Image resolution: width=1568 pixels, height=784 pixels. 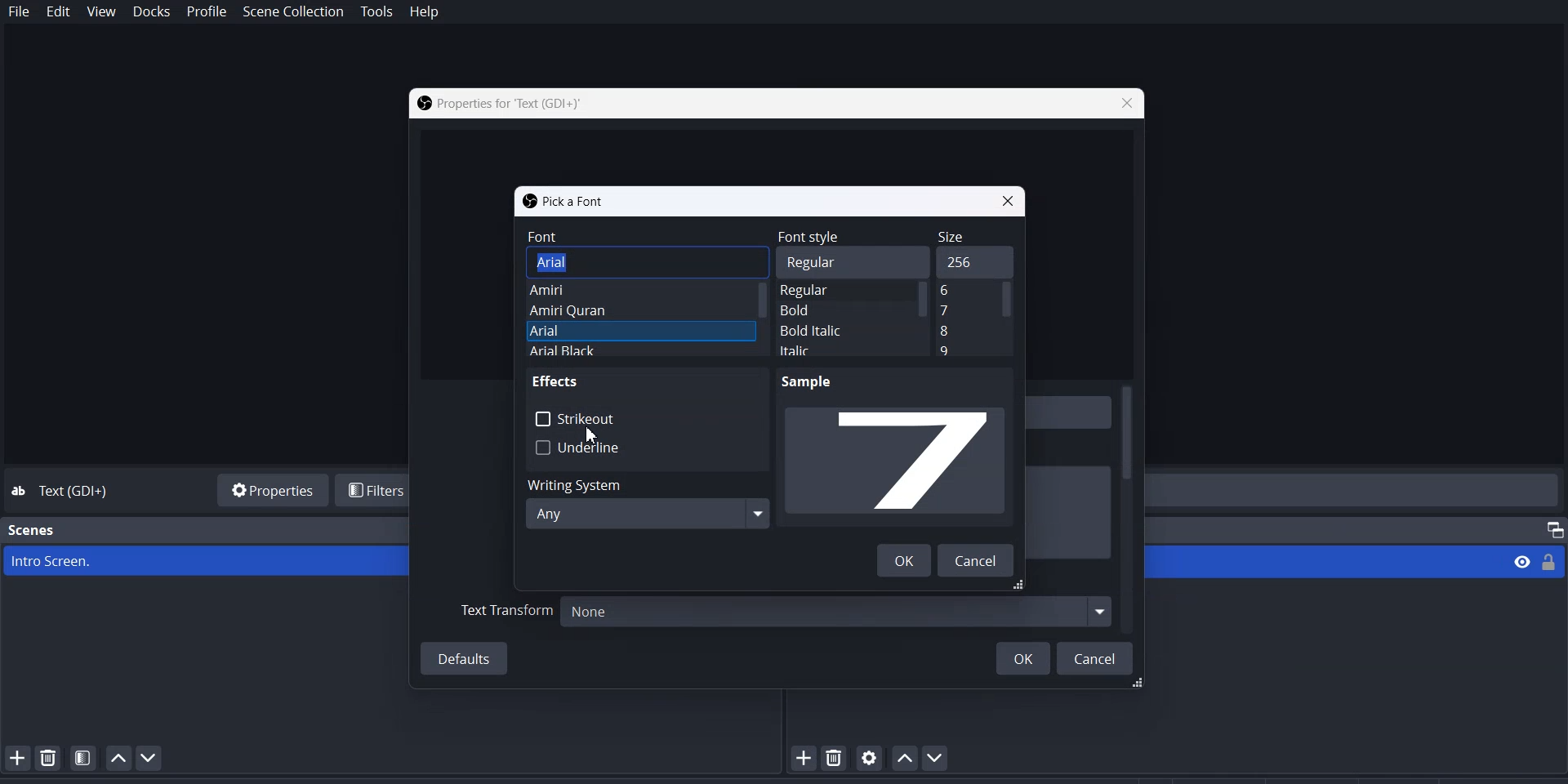 What do you see at coordinates (924, 318) in the screenshot?
I see `Vertical Scroll bar` at bounding box center [924, 318].